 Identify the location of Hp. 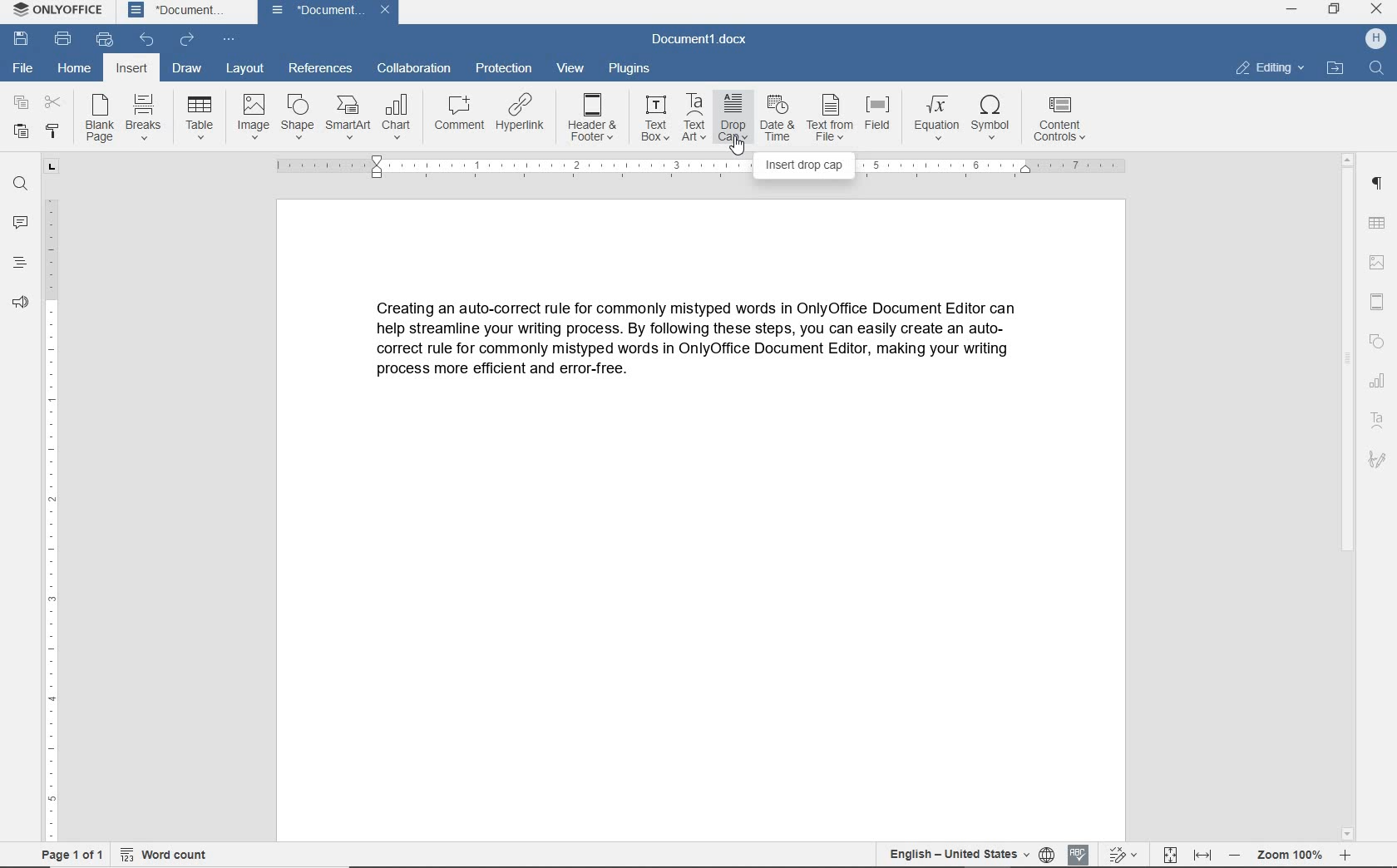
(1375, 38).